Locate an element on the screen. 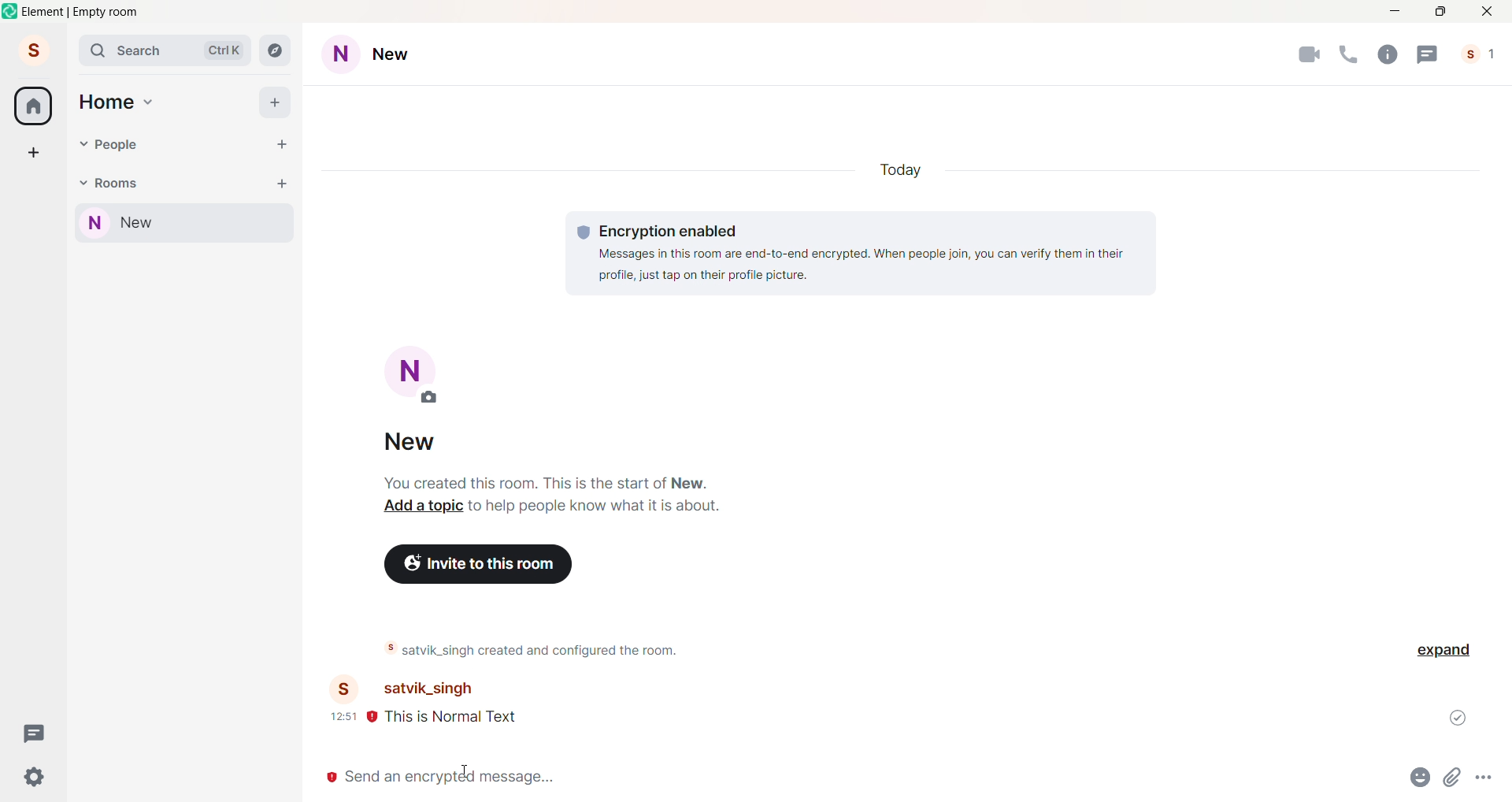  Room Info is located at coordinates (1386, 54).